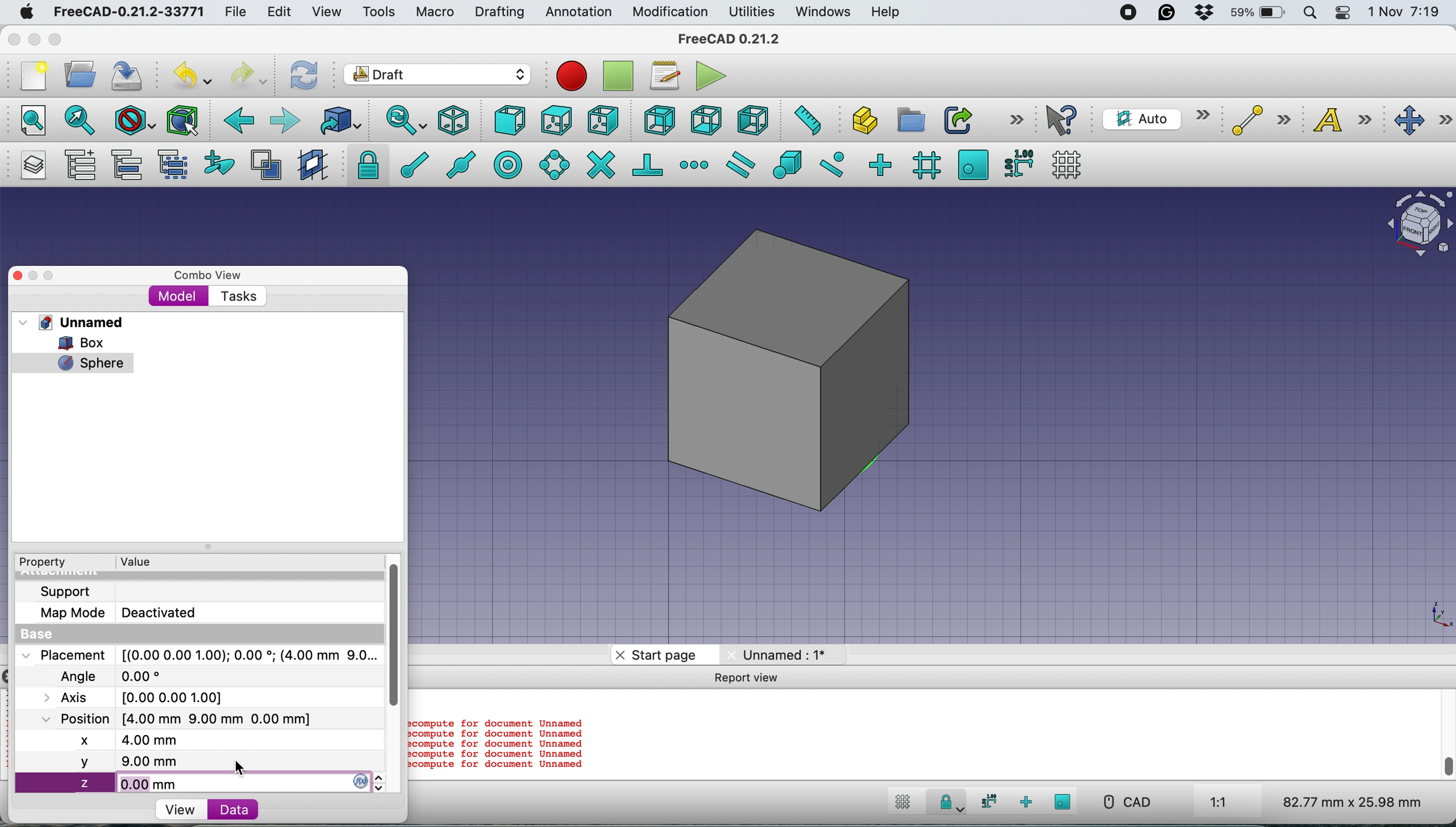 This screenshot has height=827, width=1456. I want to click on create group, so click(909, 120).